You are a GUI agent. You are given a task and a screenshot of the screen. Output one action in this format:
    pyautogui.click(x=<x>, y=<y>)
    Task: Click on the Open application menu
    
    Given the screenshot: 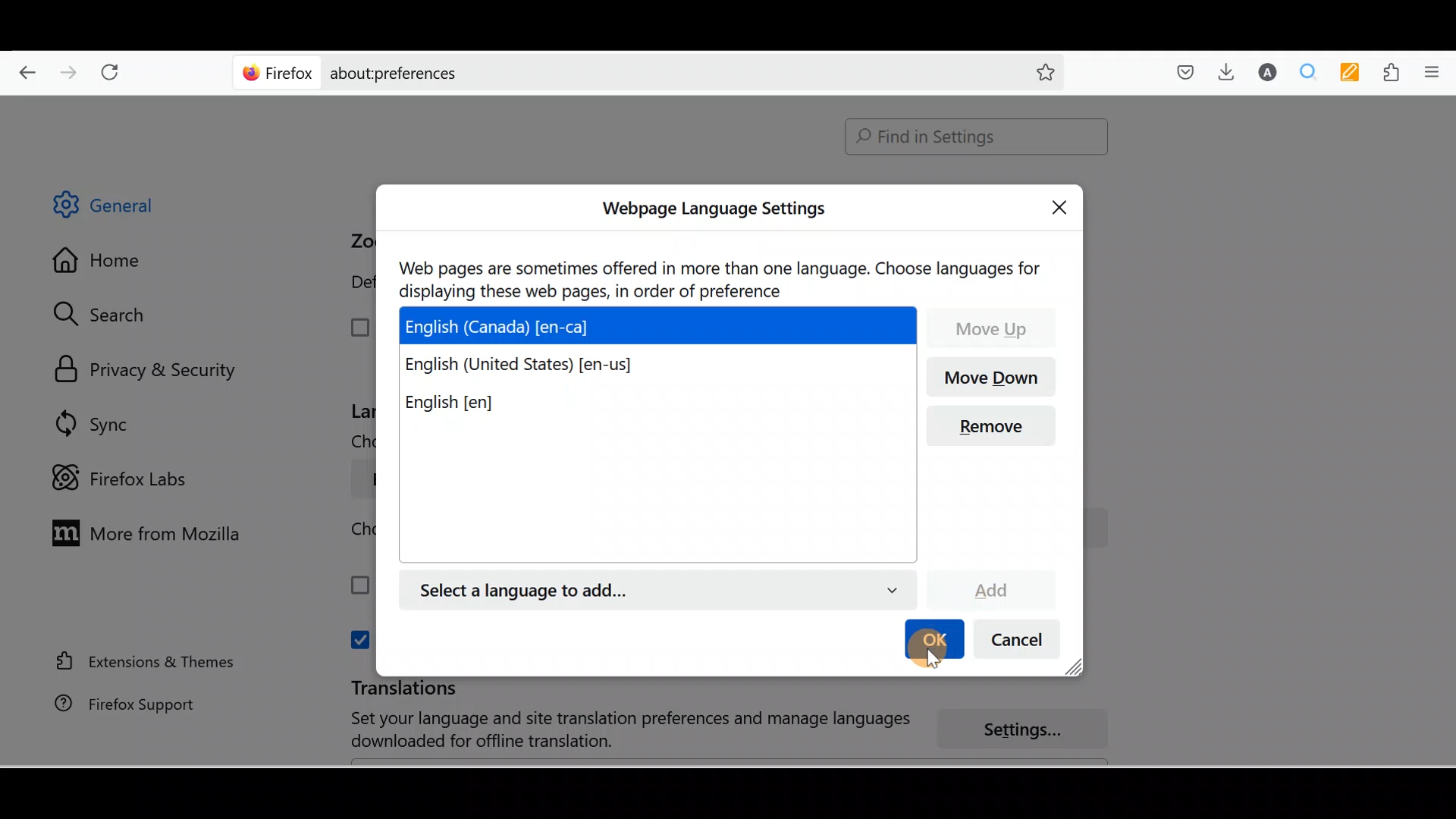 What is the action you would take?
    pyautogui.click(x=1437, y=71)
    